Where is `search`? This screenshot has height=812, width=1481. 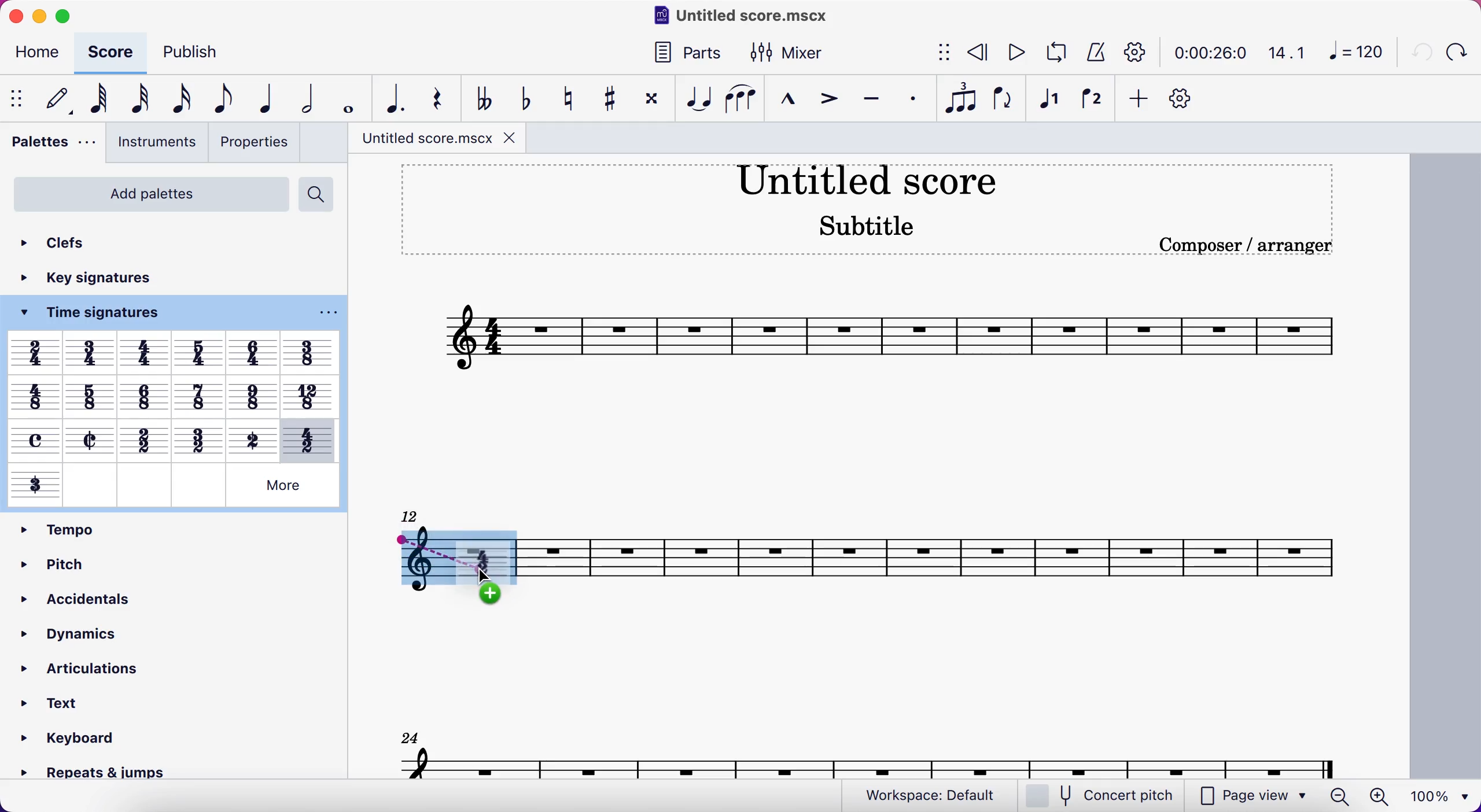
search is located at coordinates (322, 195).